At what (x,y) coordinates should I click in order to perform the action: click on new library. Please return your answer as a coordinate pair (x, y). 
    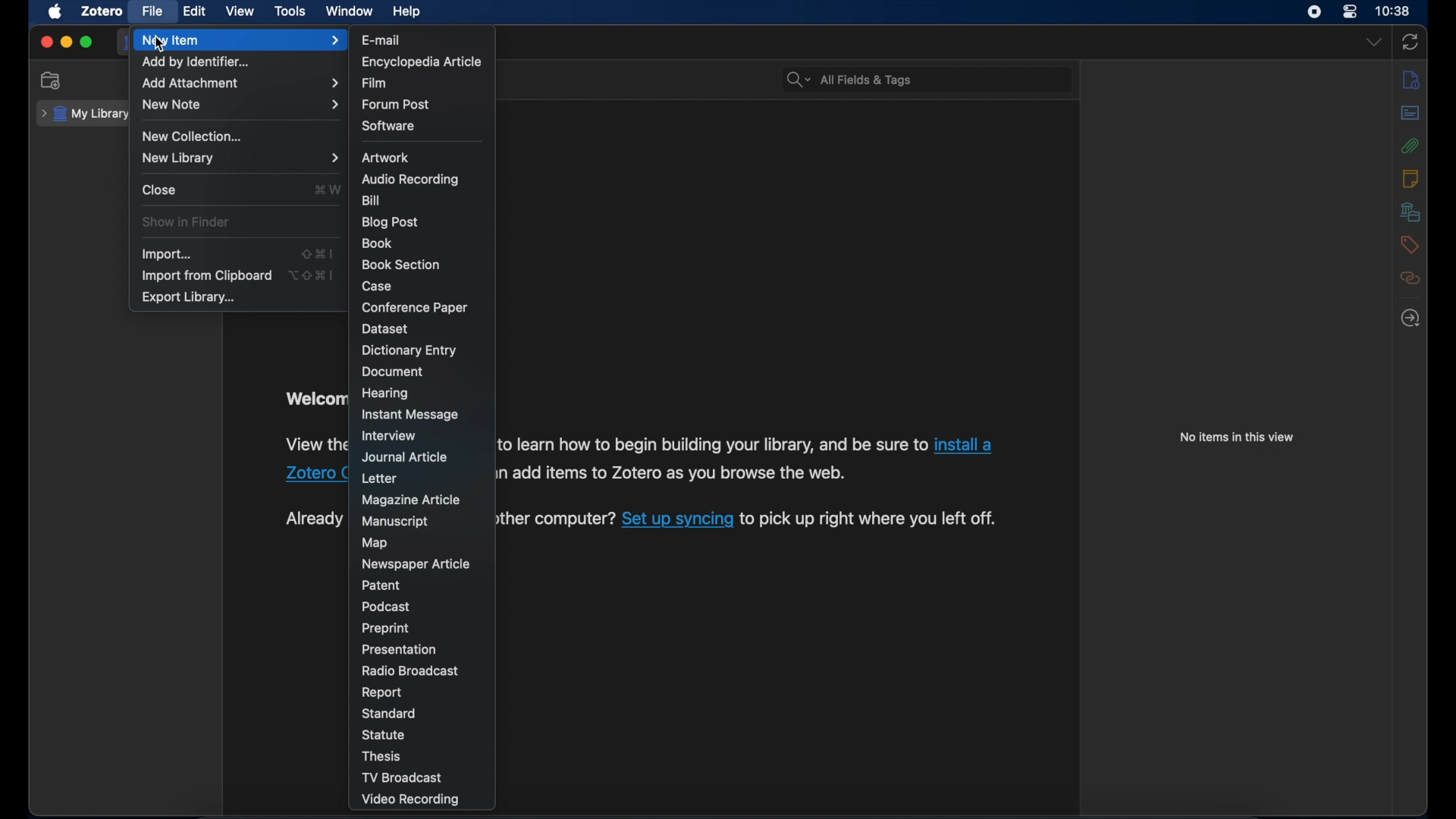
    Looking at the image, I should click on (240, 158).